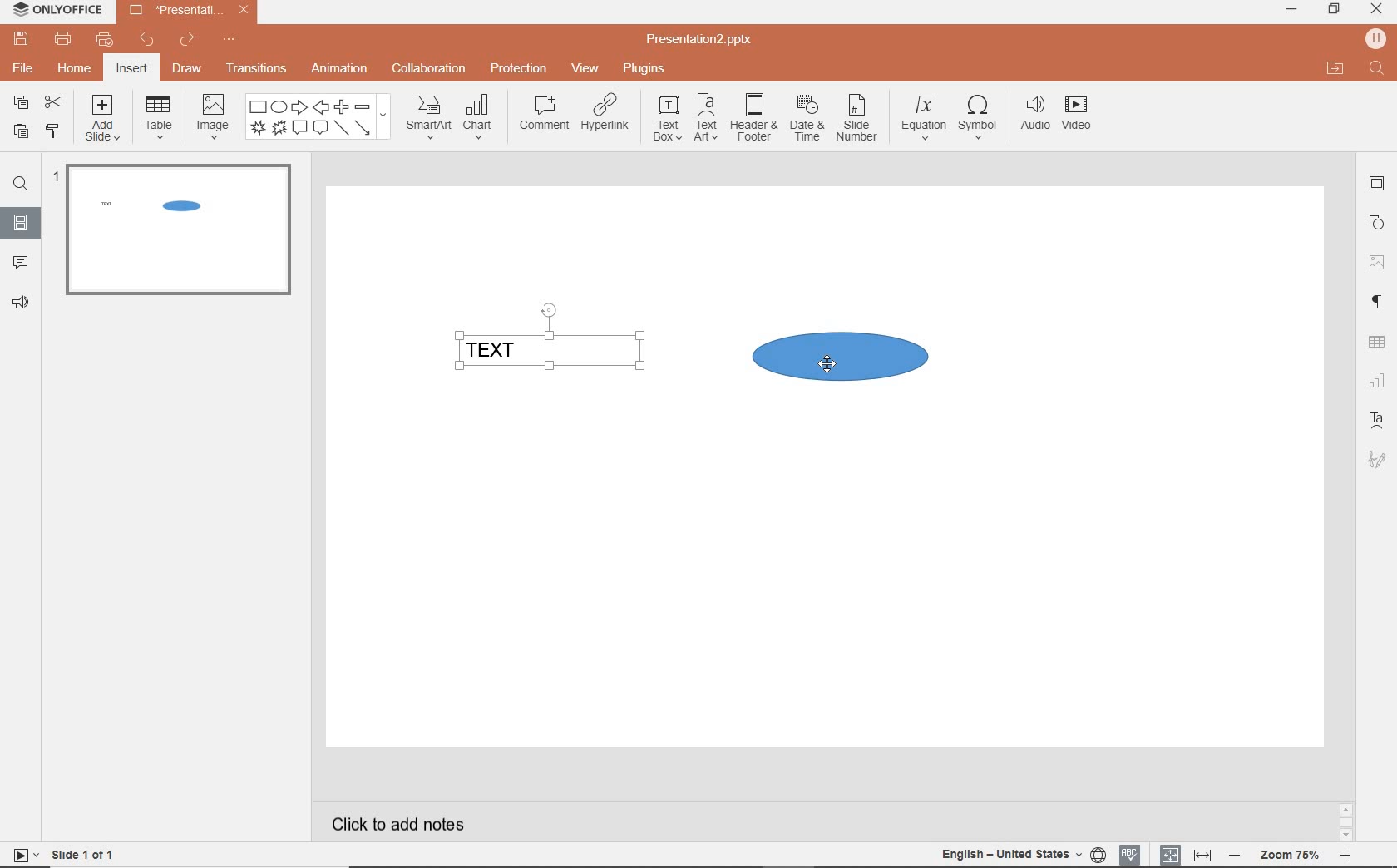 The width and height of the screenshot is (1397, 868). Describe the element at coordinates (52, 131) in the screenshot. I see `copy style` at that location.